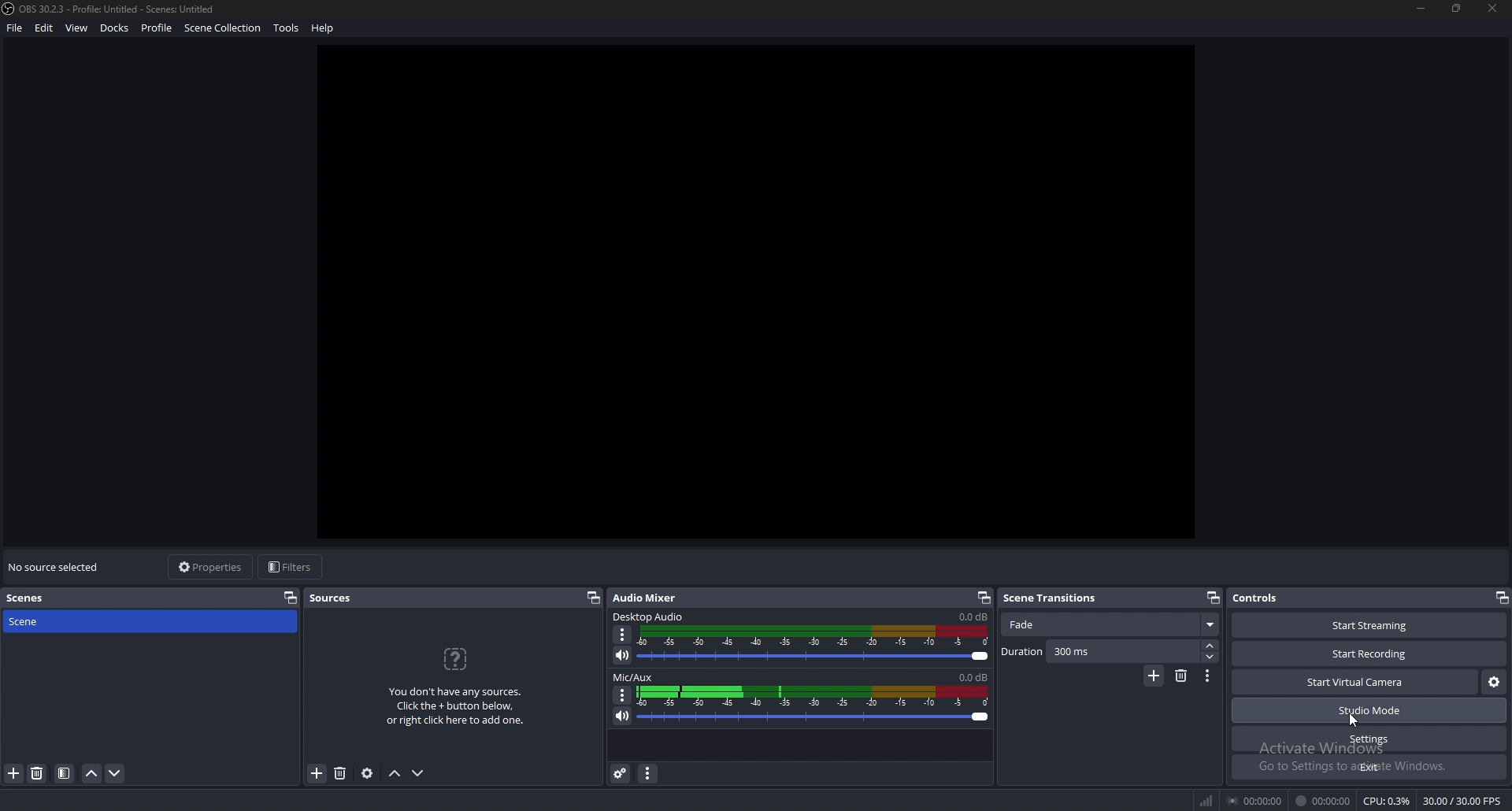 This screenshot has width=1512, height=811. What do you see at coordinates (771, 295) in the screenshot?
I see `workspace` at bounding box center [771, 295].